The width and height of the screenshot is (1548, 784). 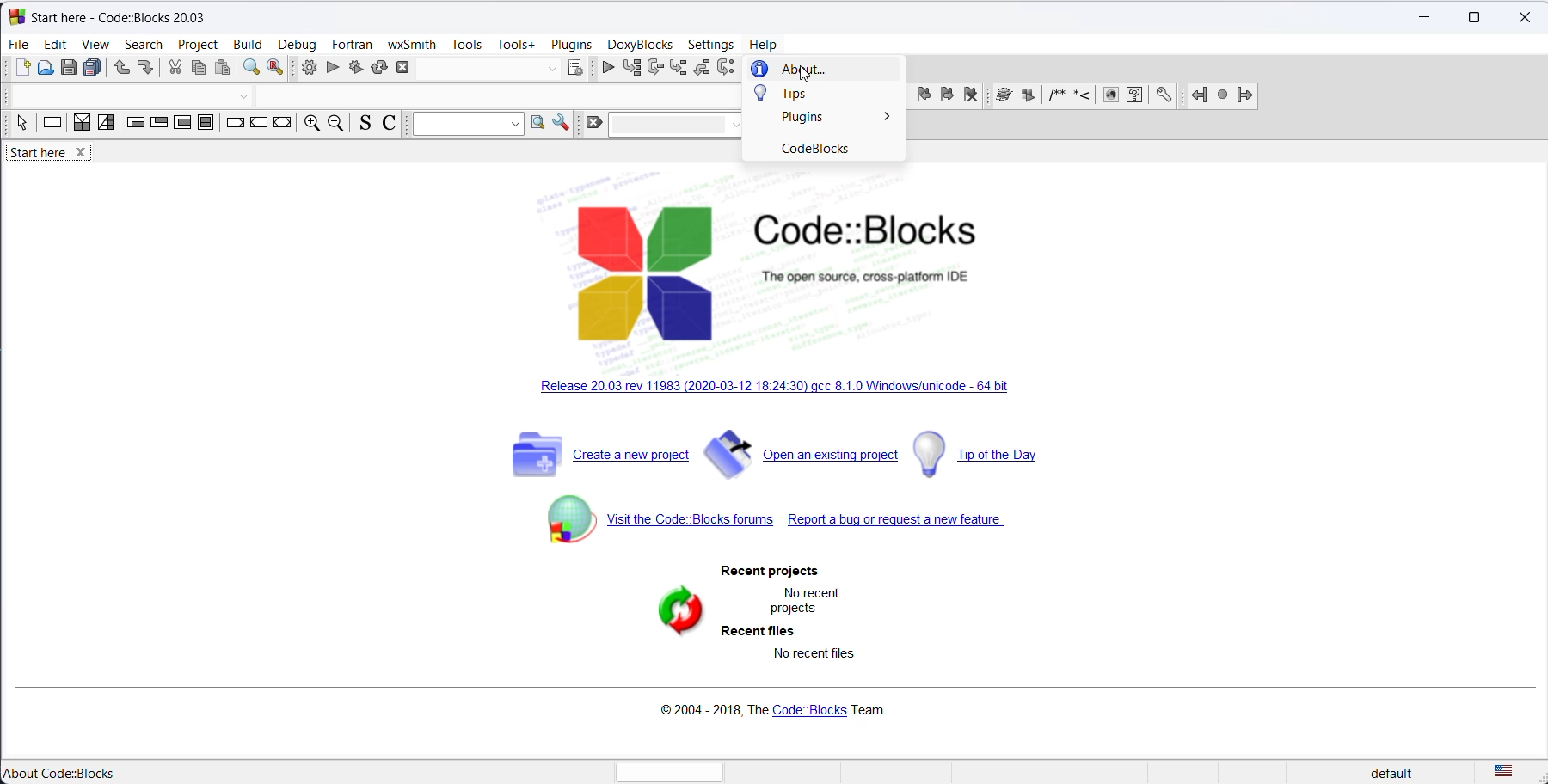 What do you see at coordinates (105, 125) in the screenshot?
I see `selection` at bounding box center [105, 125].